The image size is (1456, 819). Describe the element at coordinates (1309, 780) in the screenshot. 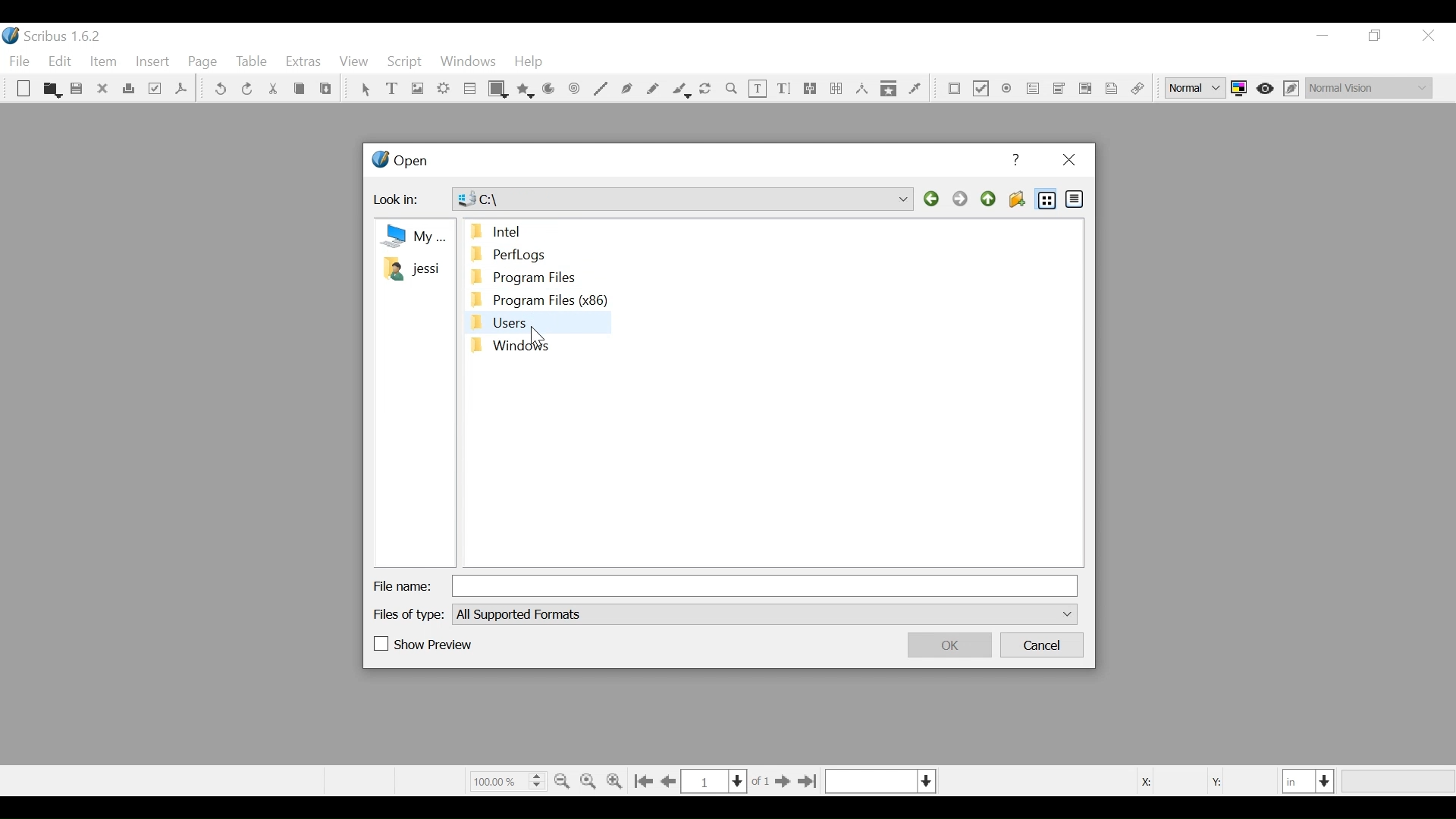

I see `Select the current unit` at that location.